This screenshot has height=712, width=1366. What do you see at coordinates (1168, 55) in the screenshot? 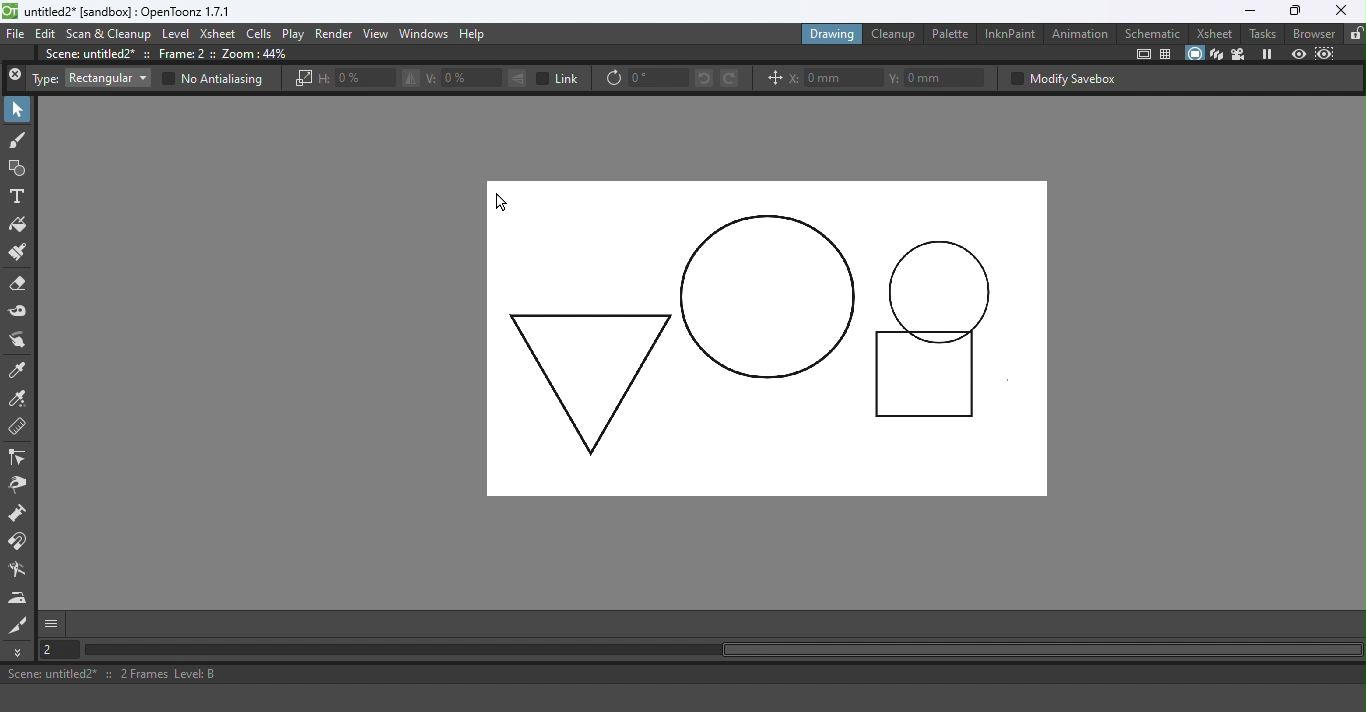
I see `Field guide` at bounding box center [1168, 55].